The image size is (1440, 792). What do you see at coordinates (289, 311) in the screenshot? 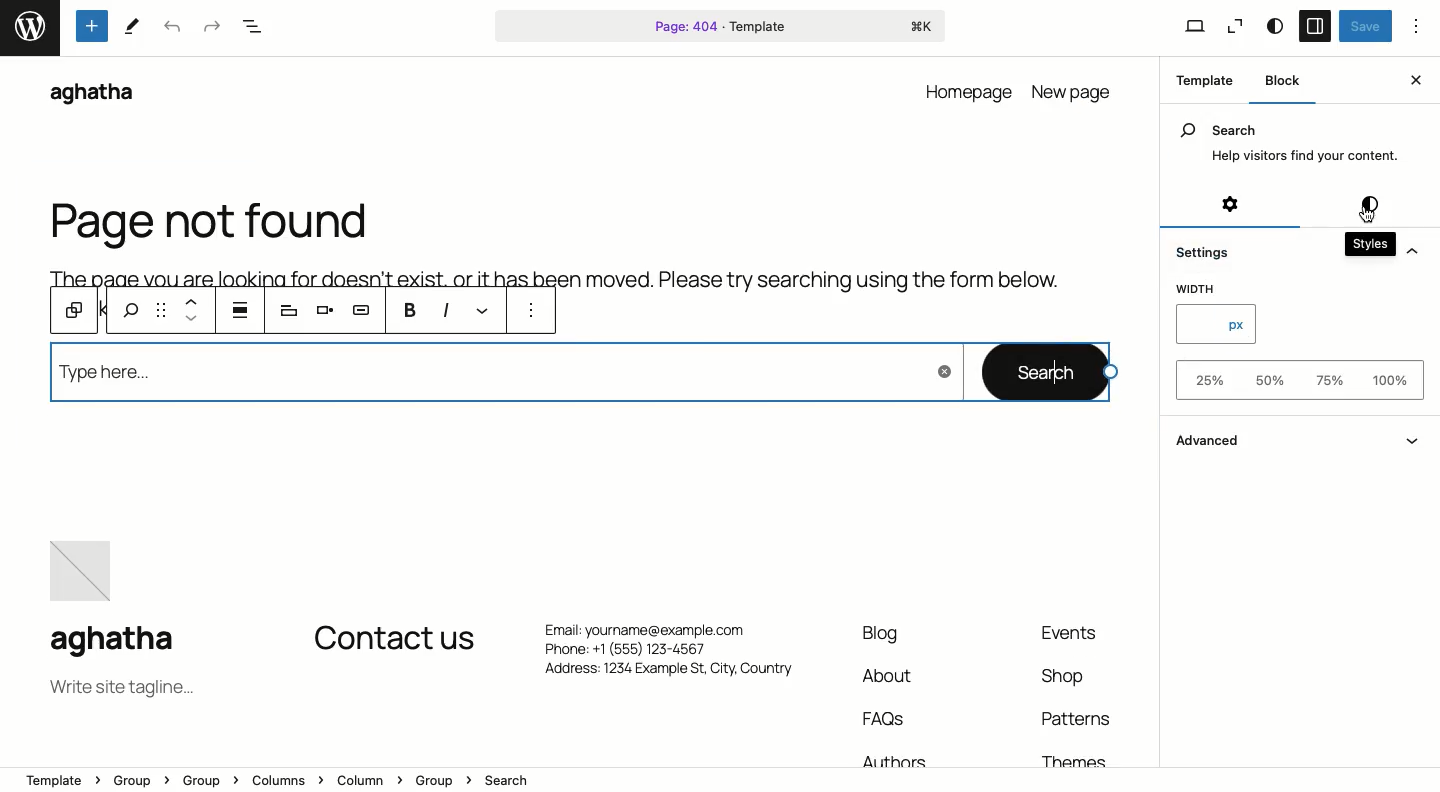
I see `Heading` at bounding box center [289, 311].